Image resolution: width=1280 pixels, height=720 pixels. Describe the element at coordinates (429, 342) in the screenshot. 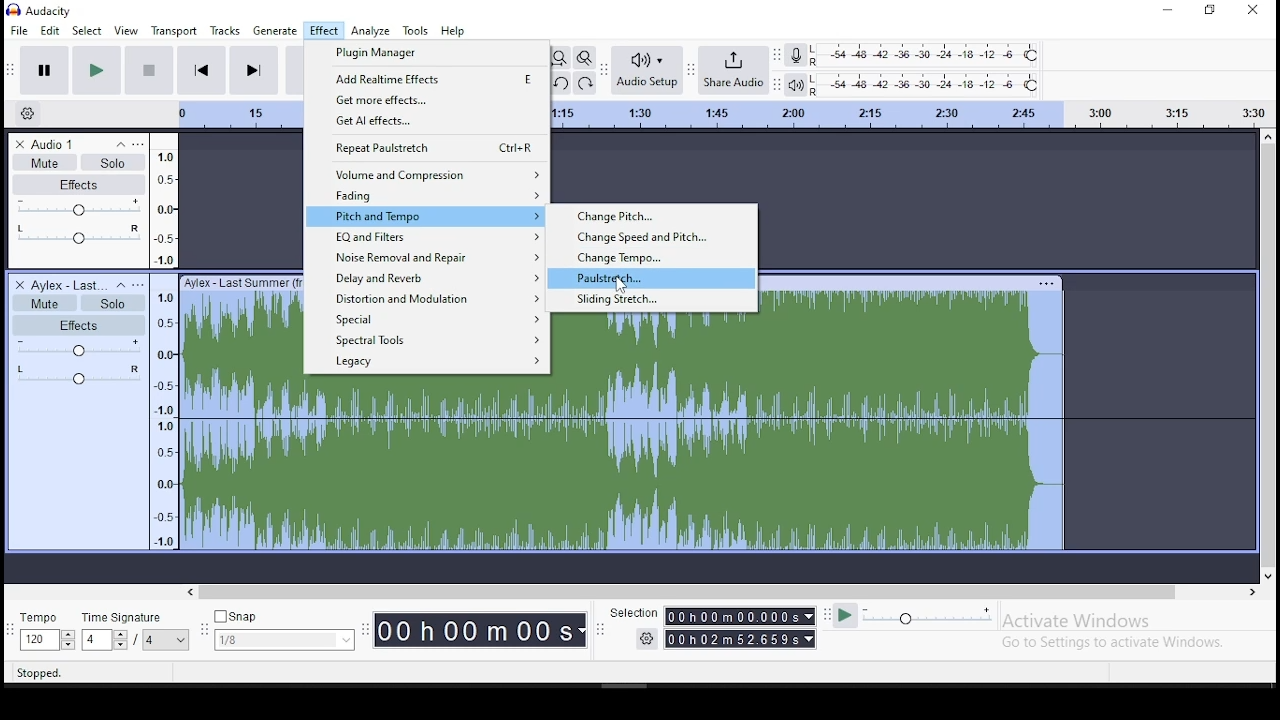

I see `spectral tools` at that location.